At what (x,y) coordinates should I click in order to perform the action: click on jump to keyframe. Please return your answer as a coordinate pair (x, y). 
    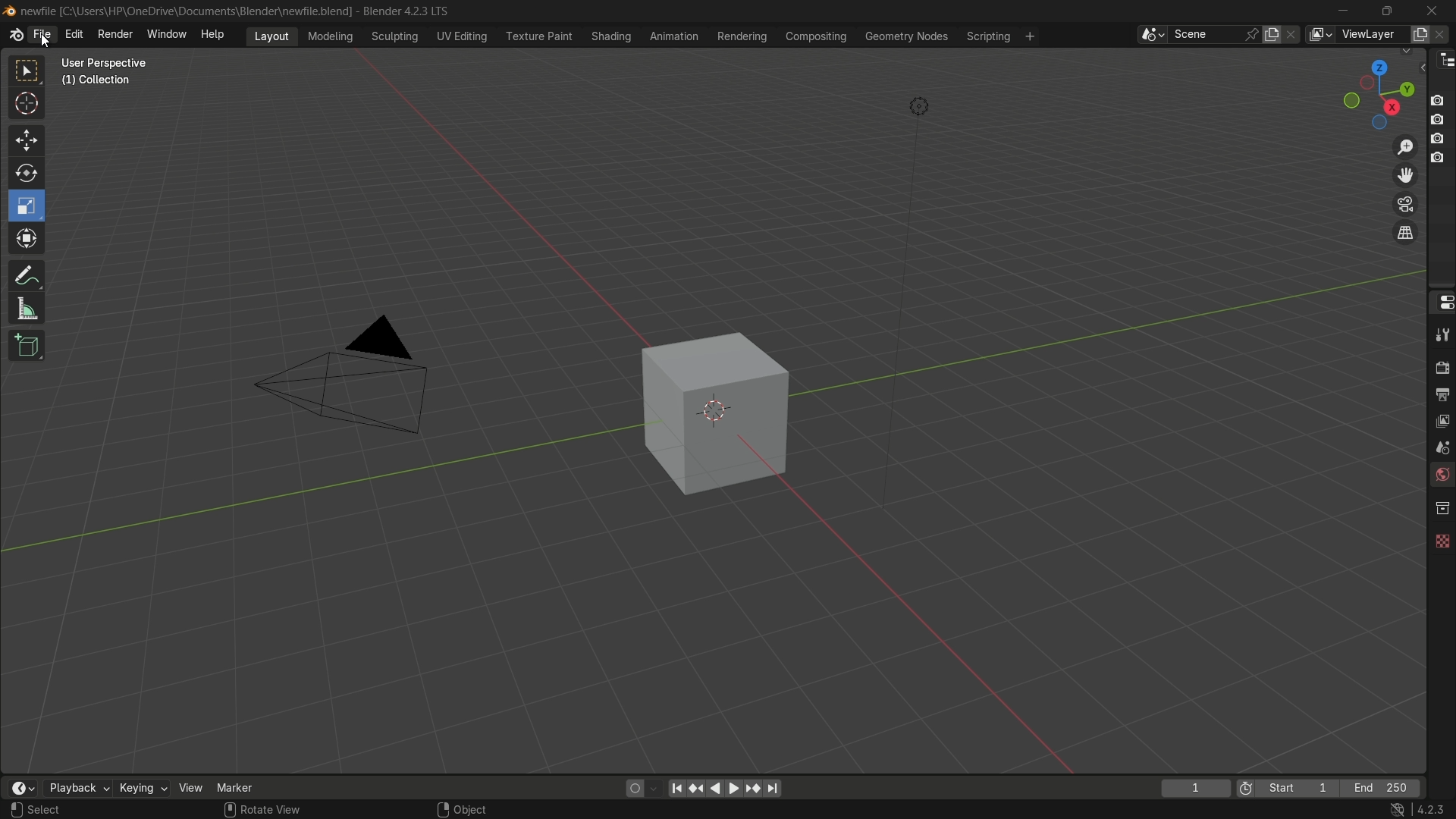
    Looking at the image, I should click on (753, 787).